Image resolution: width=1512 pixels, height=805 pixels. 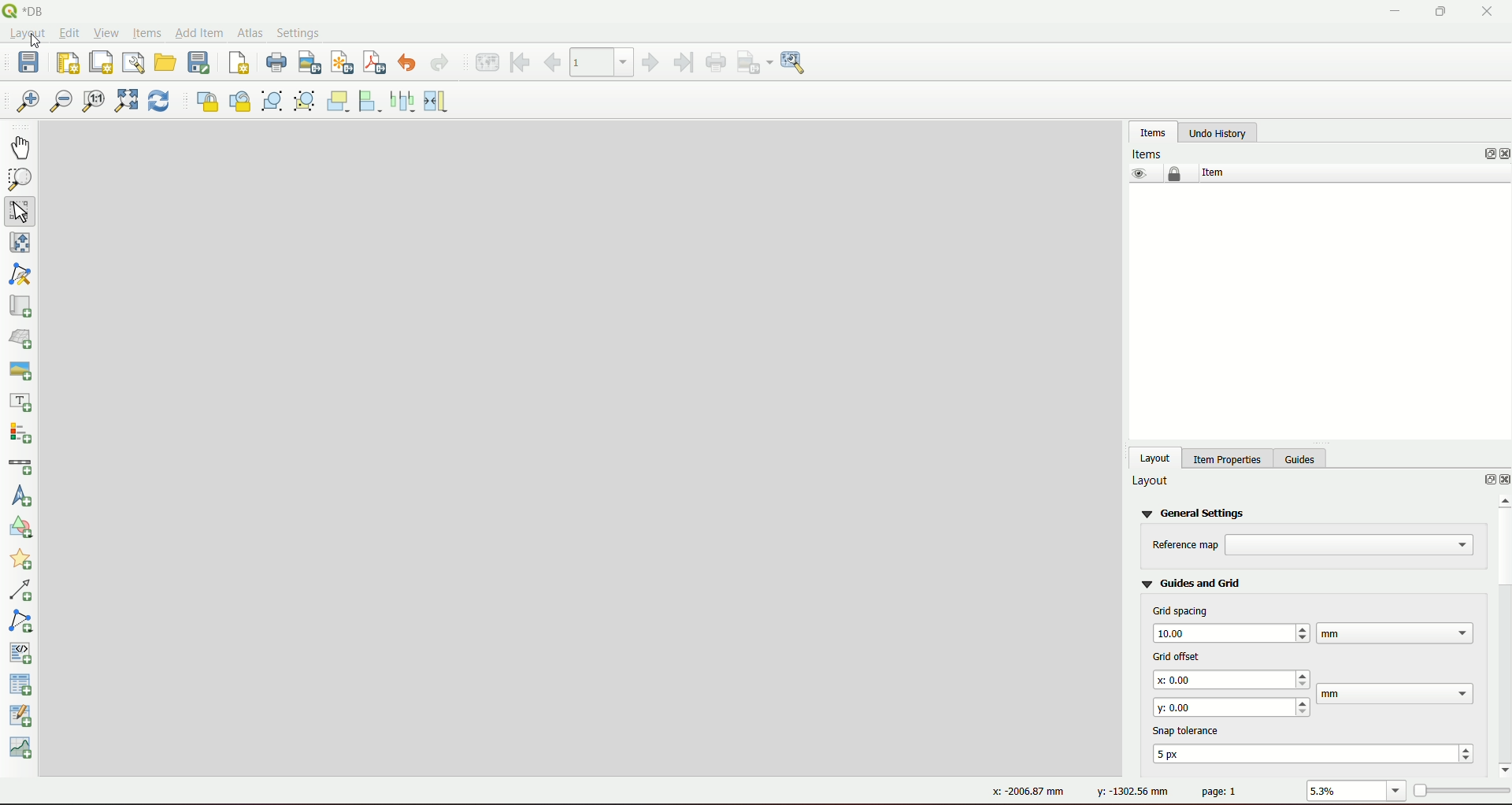 What do you see at coordinates (239, 101) in the screenshot?
I see `unlock all items` at bounding box center [239, 101].